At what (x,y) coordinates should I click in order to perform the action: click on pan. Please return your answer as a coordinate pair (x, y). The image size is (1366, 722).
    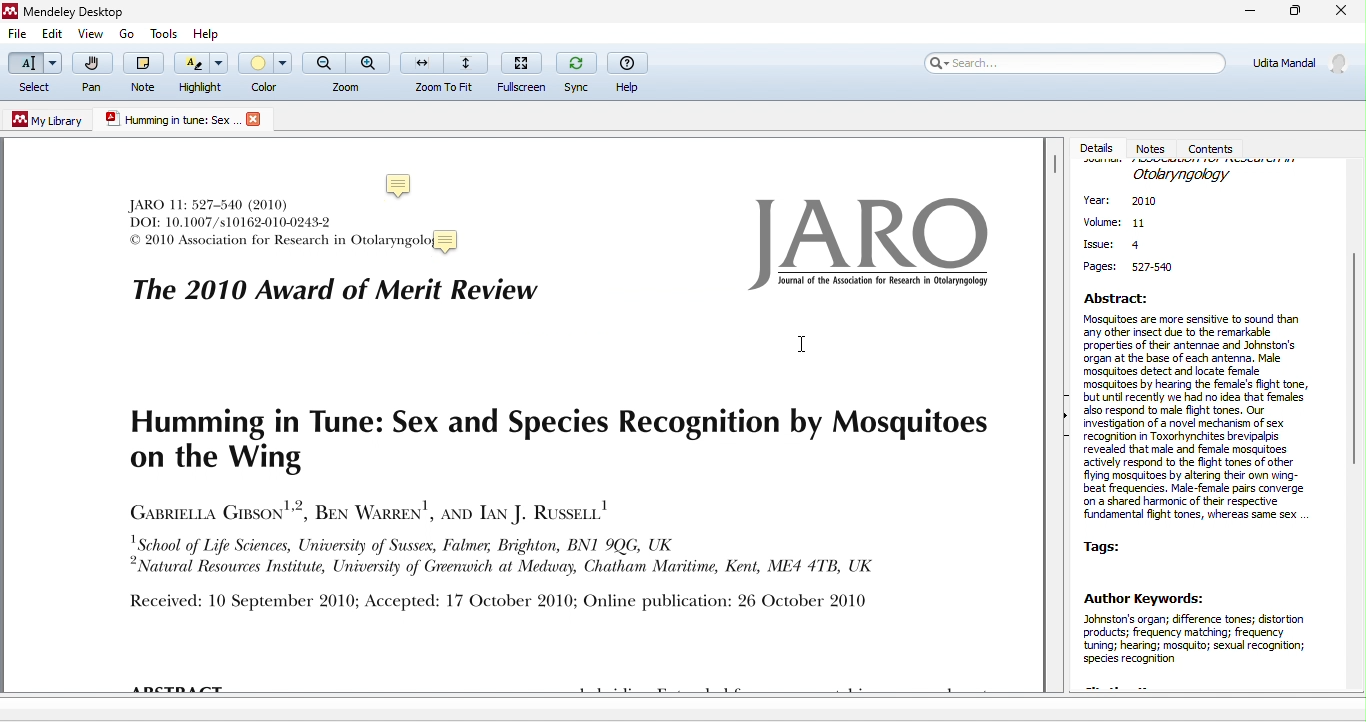
    Looking at the image, I should click on (90, 76).